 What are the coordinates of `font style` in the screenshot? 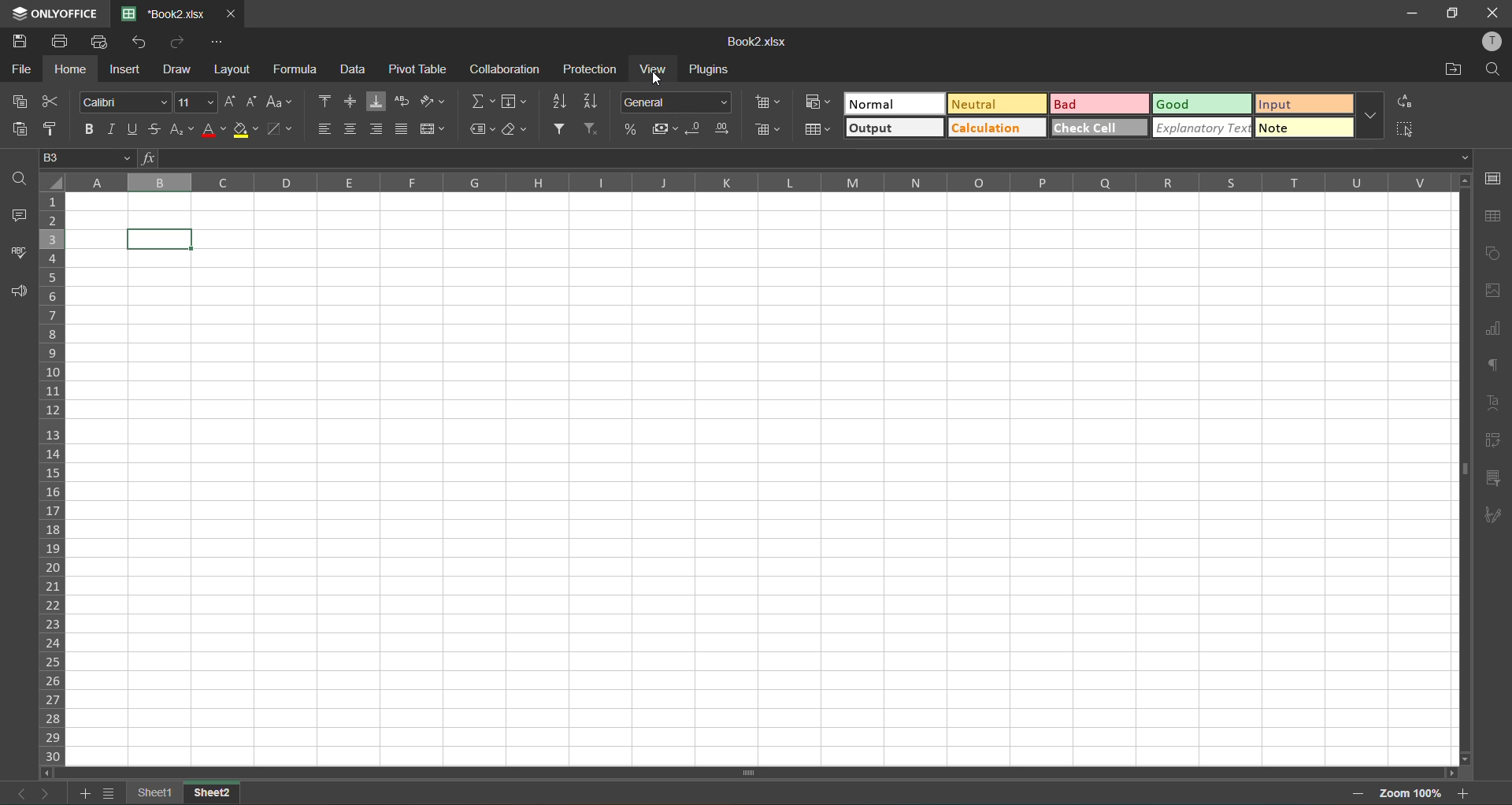 It's located at (124, 105).